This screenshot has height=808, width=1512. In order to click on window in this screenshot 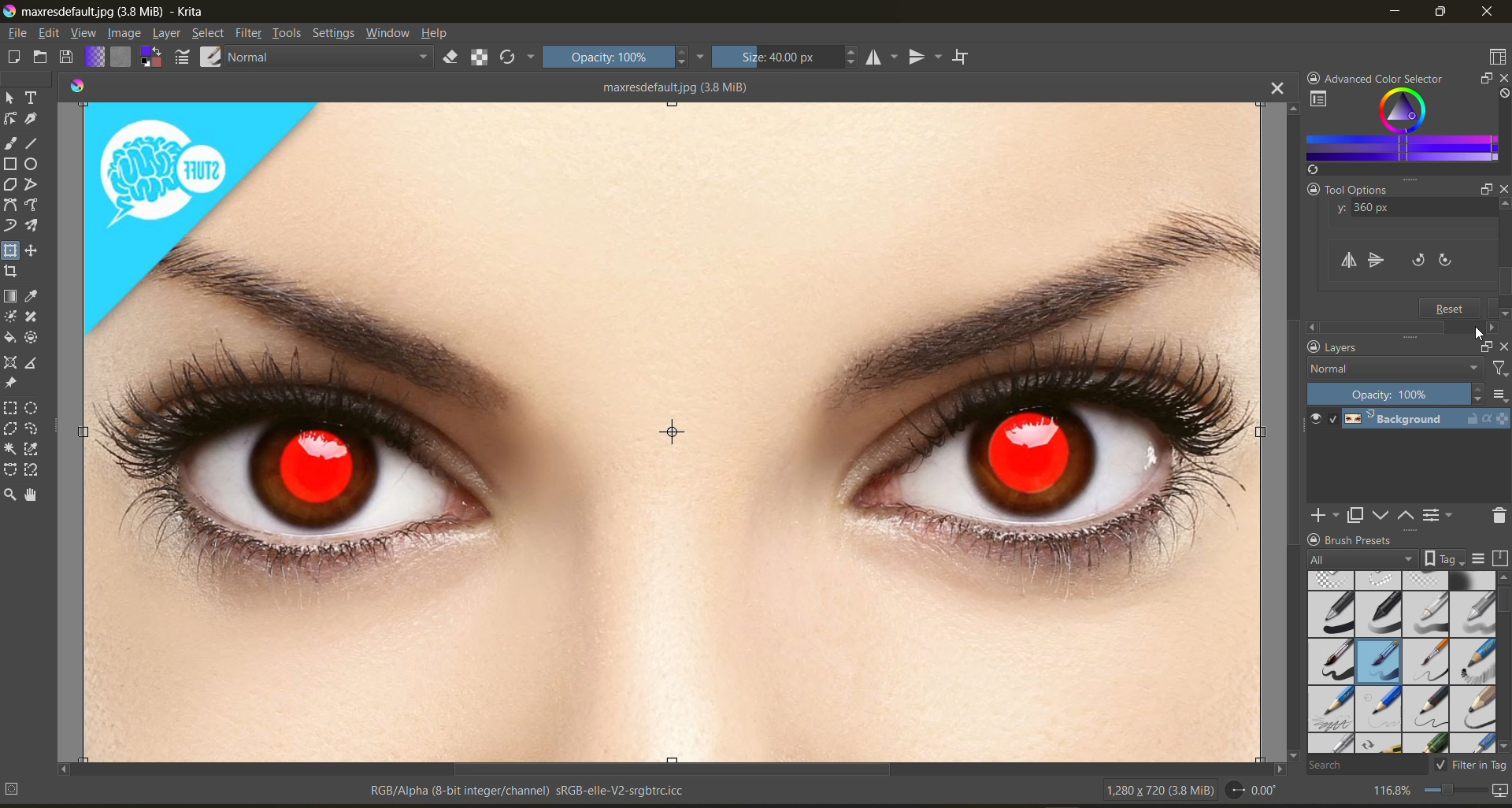, I will do `click(391, 35)`.